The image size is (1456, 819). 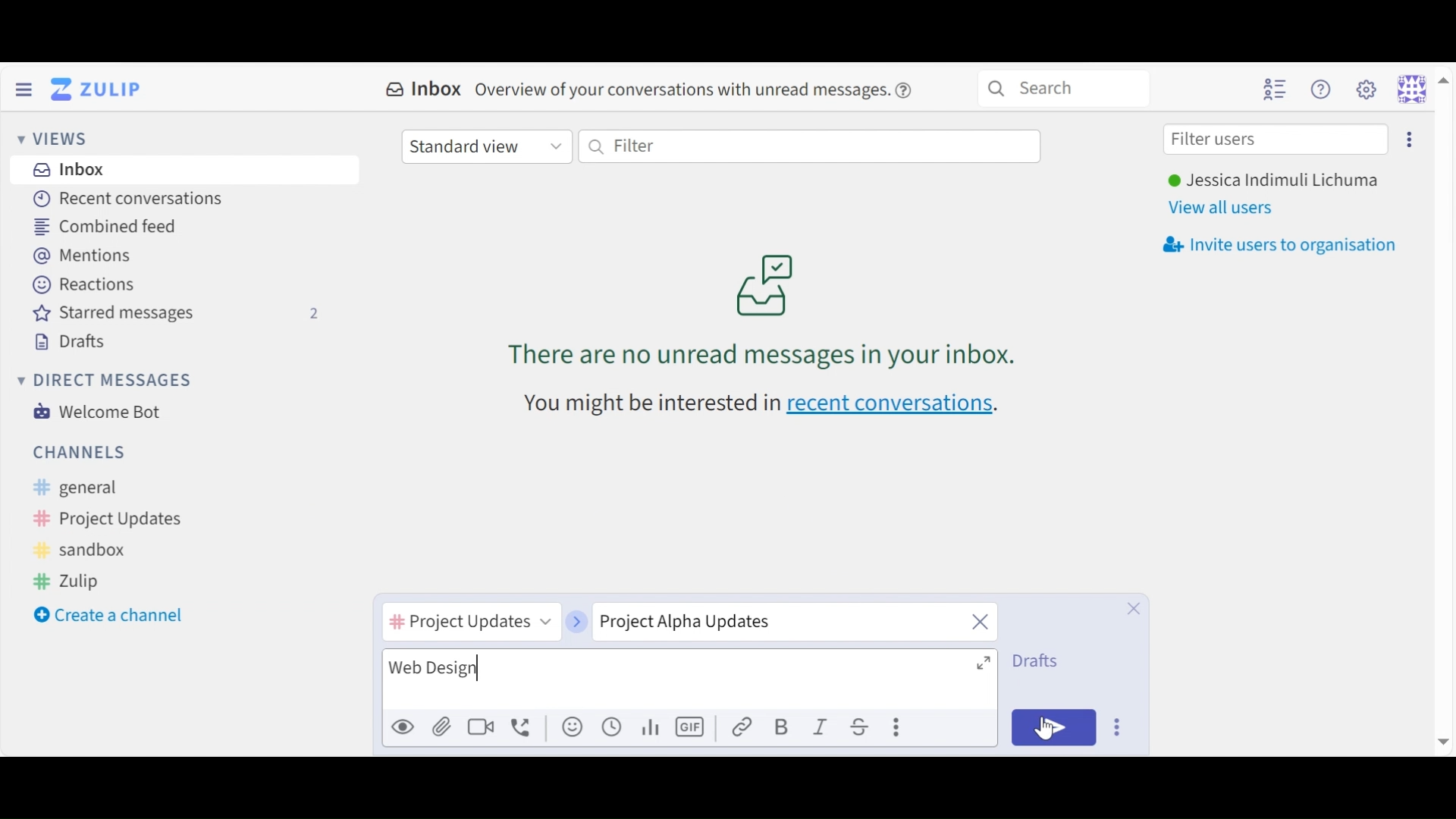 What do you see at coordinates (522, 727) in the screenshot?
I see `Add voice call` at bounding box center [522, 727].